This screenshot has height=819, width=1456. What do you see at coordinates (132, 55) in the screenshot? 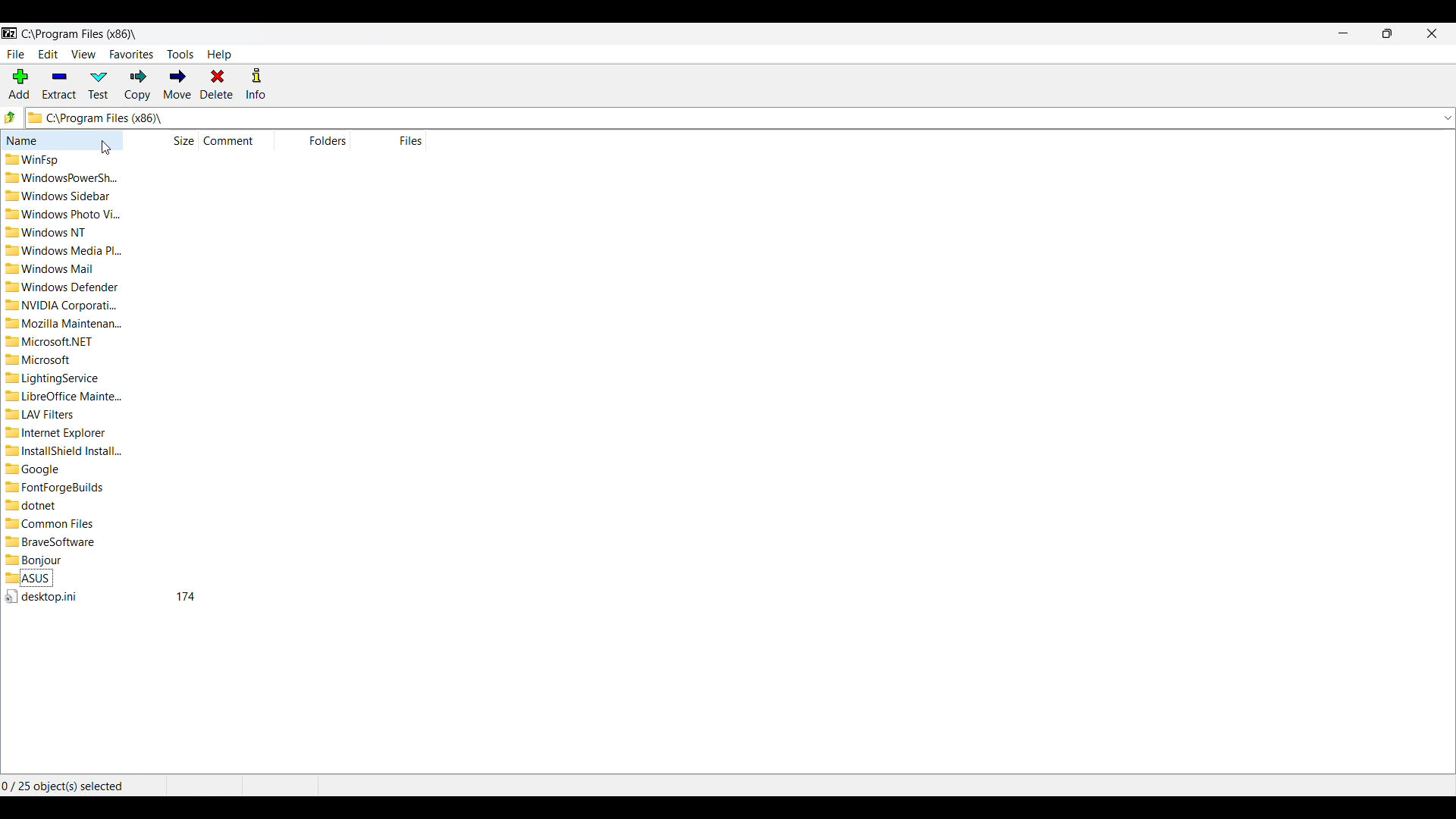
I see `Favorites menu` at bounding box center [132, 55].